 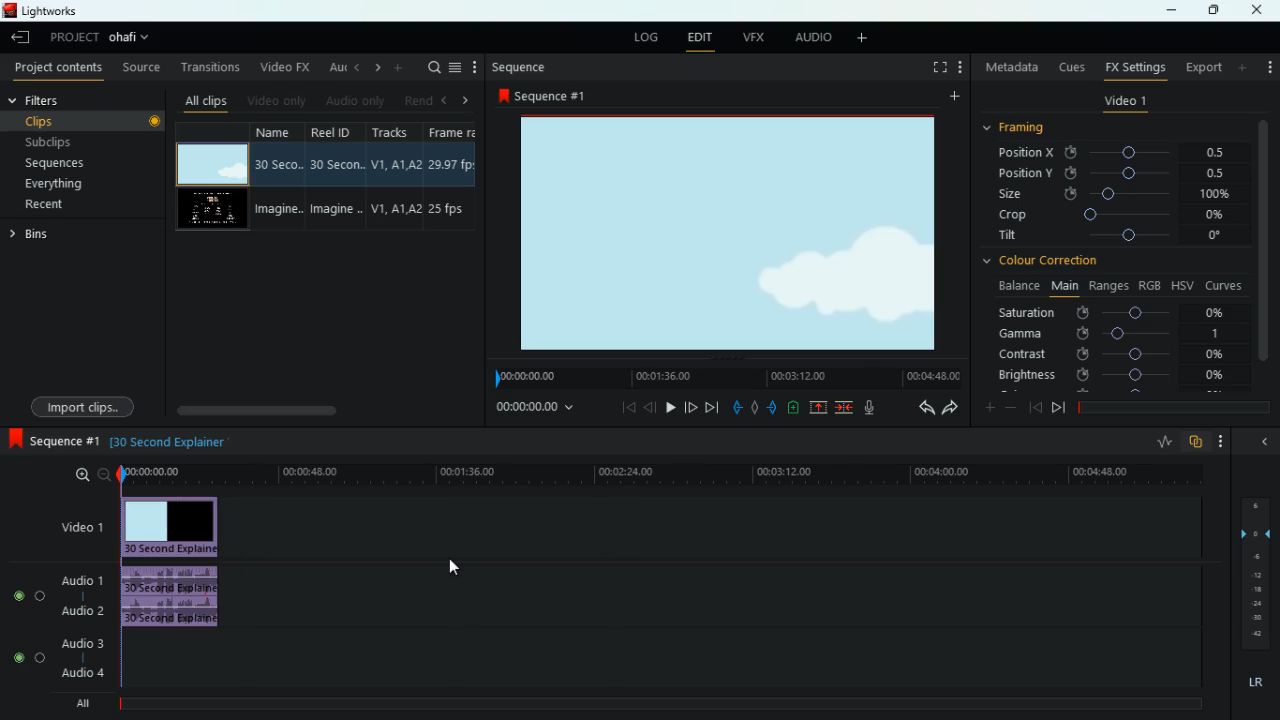 I want to click on close, so click(x=1259, y=10).